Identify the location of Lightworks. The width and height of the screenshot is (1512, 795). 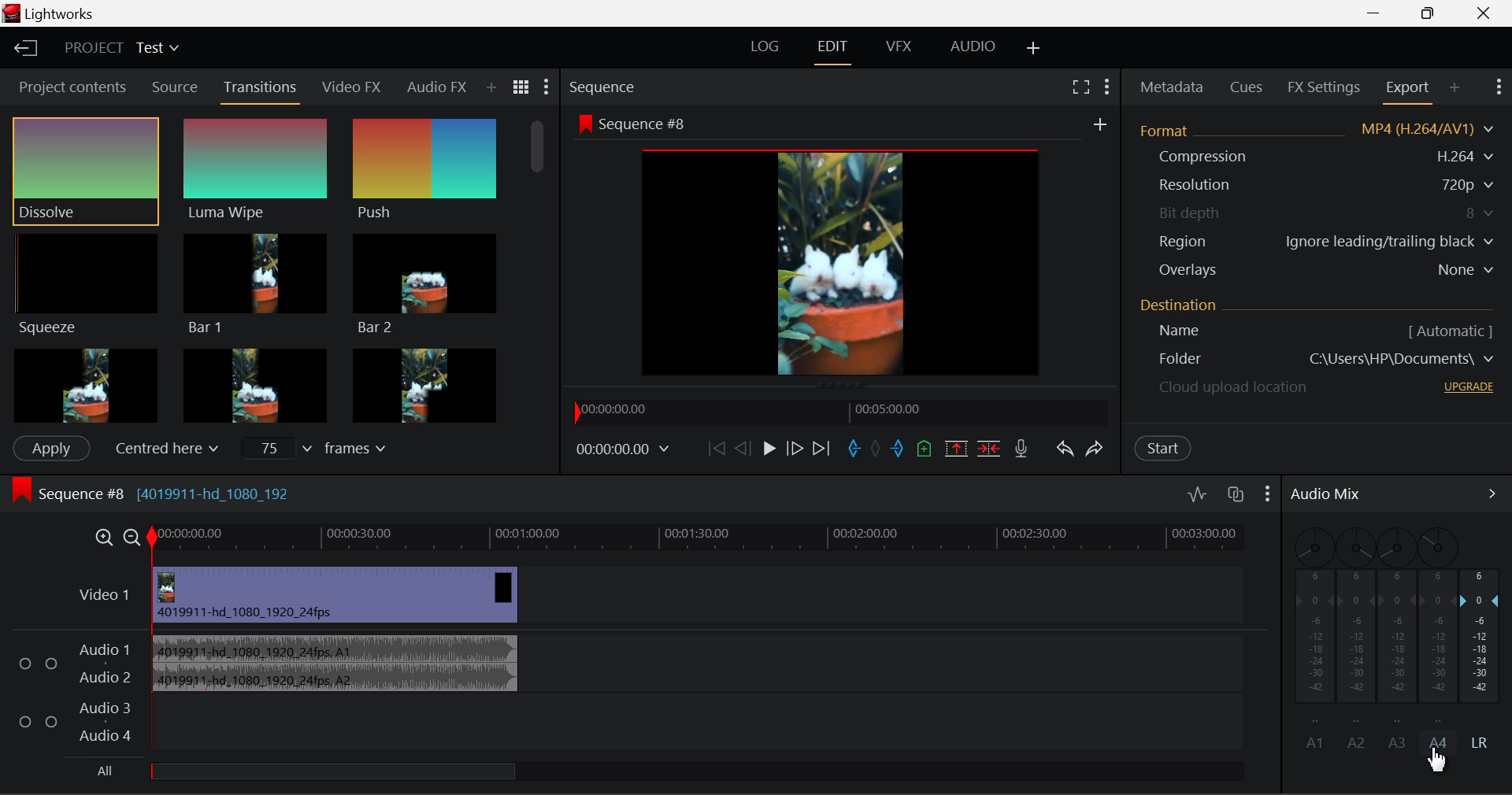
(49, 13).